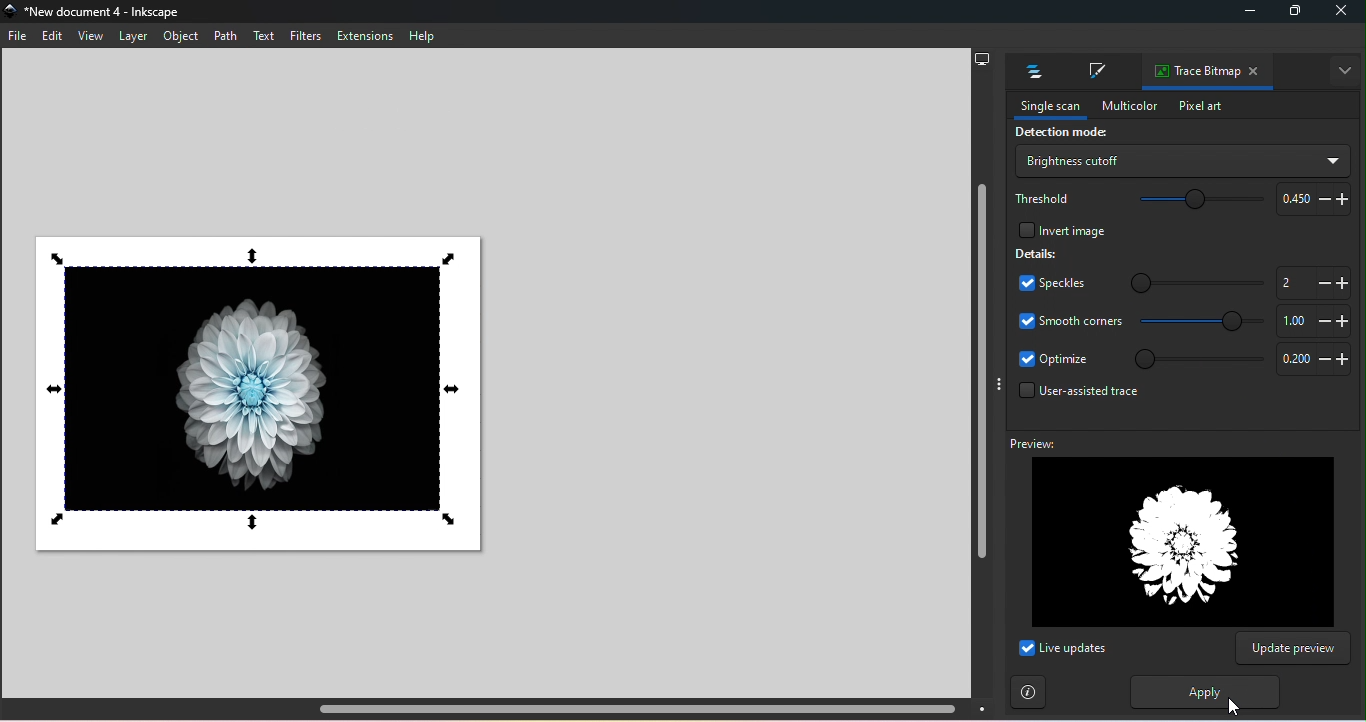 This screenshot has width=1366, height=722. What do you see at coordinates (225, 35) in the screenshot?
I see `Path` at bounding box center [225, 35].